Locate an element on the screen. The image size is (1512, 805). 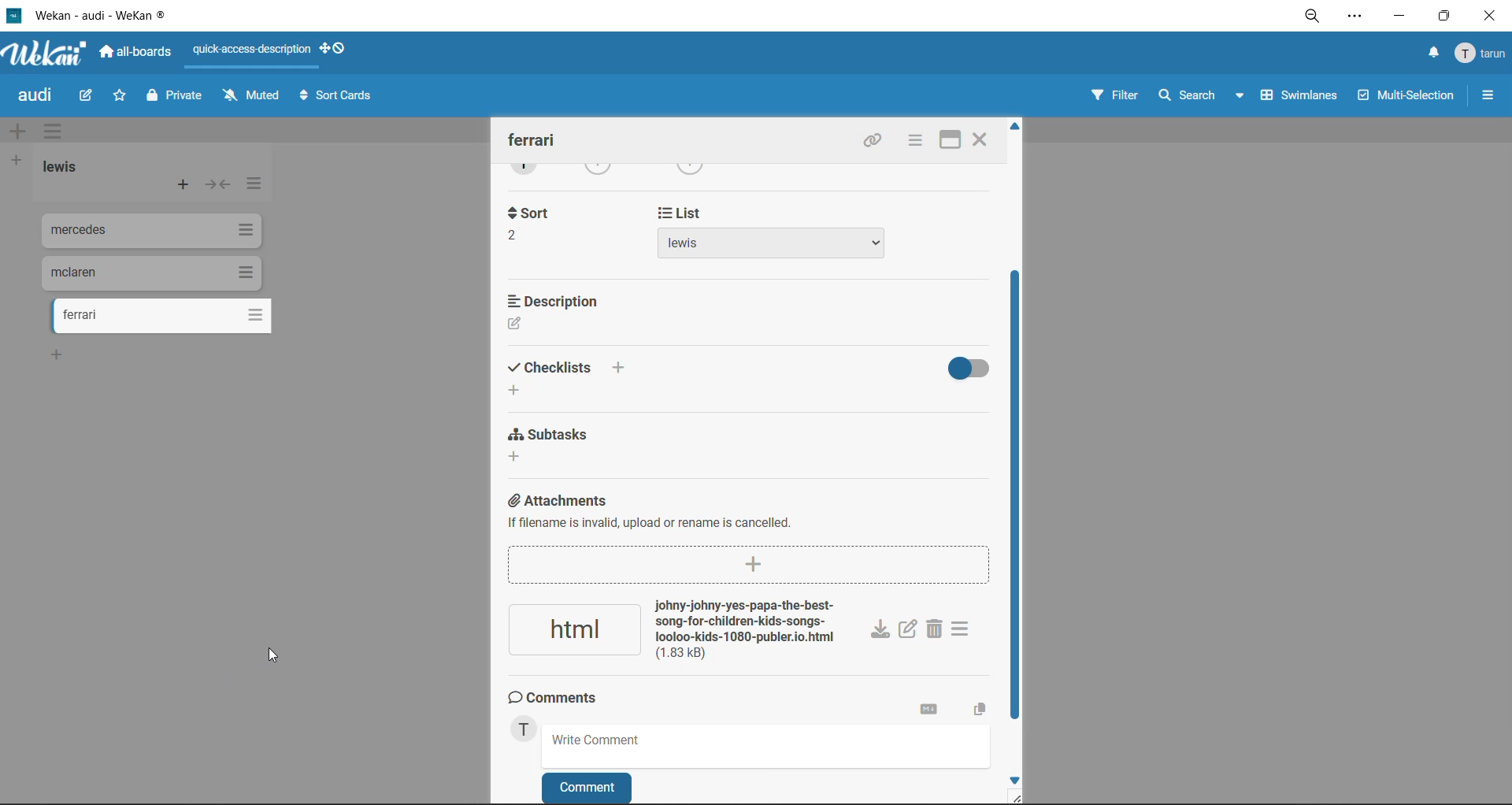
close is located at coordinates (1492, 18).